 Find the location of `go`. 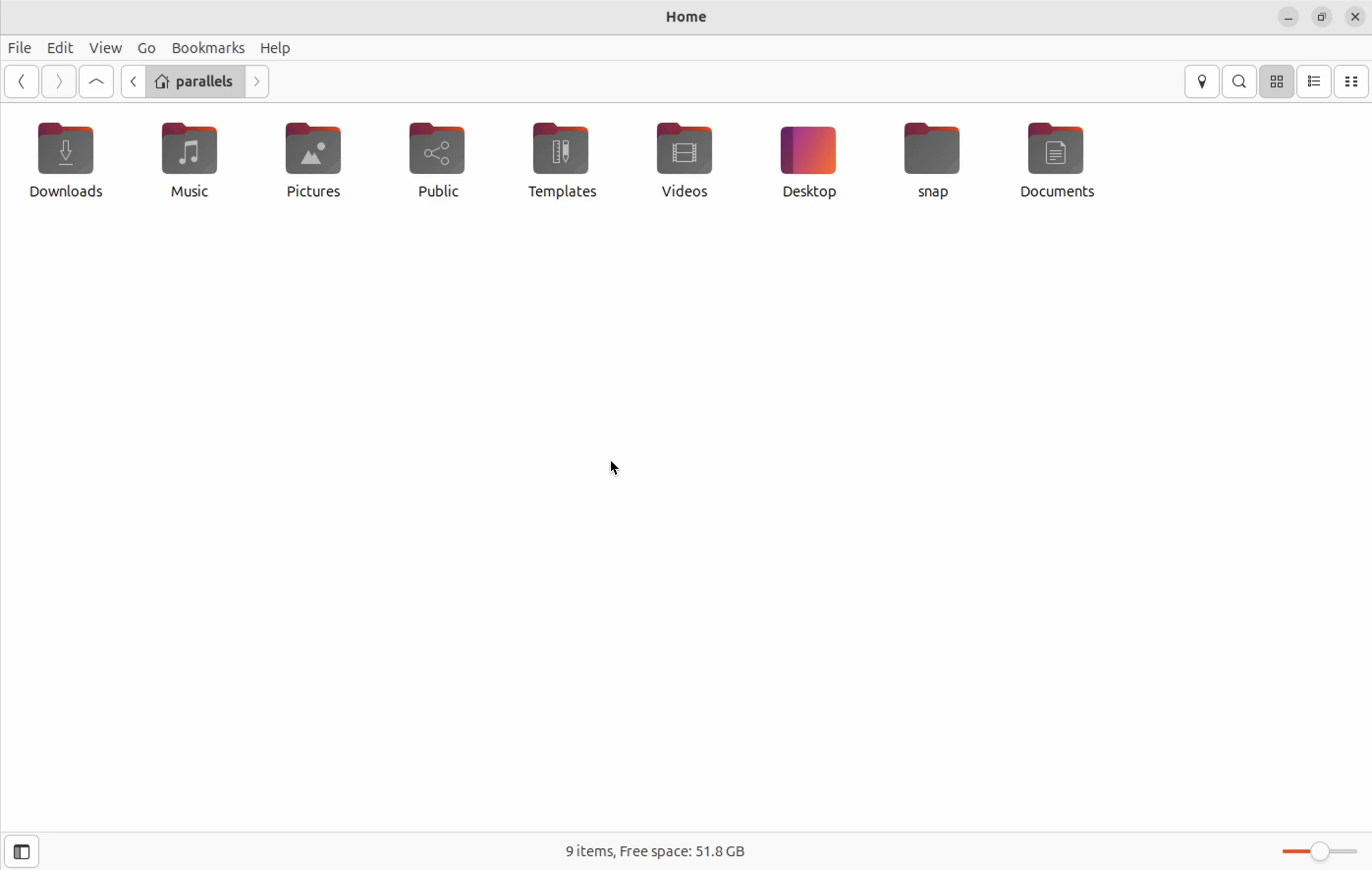

go is located at coordinates (144, 47).